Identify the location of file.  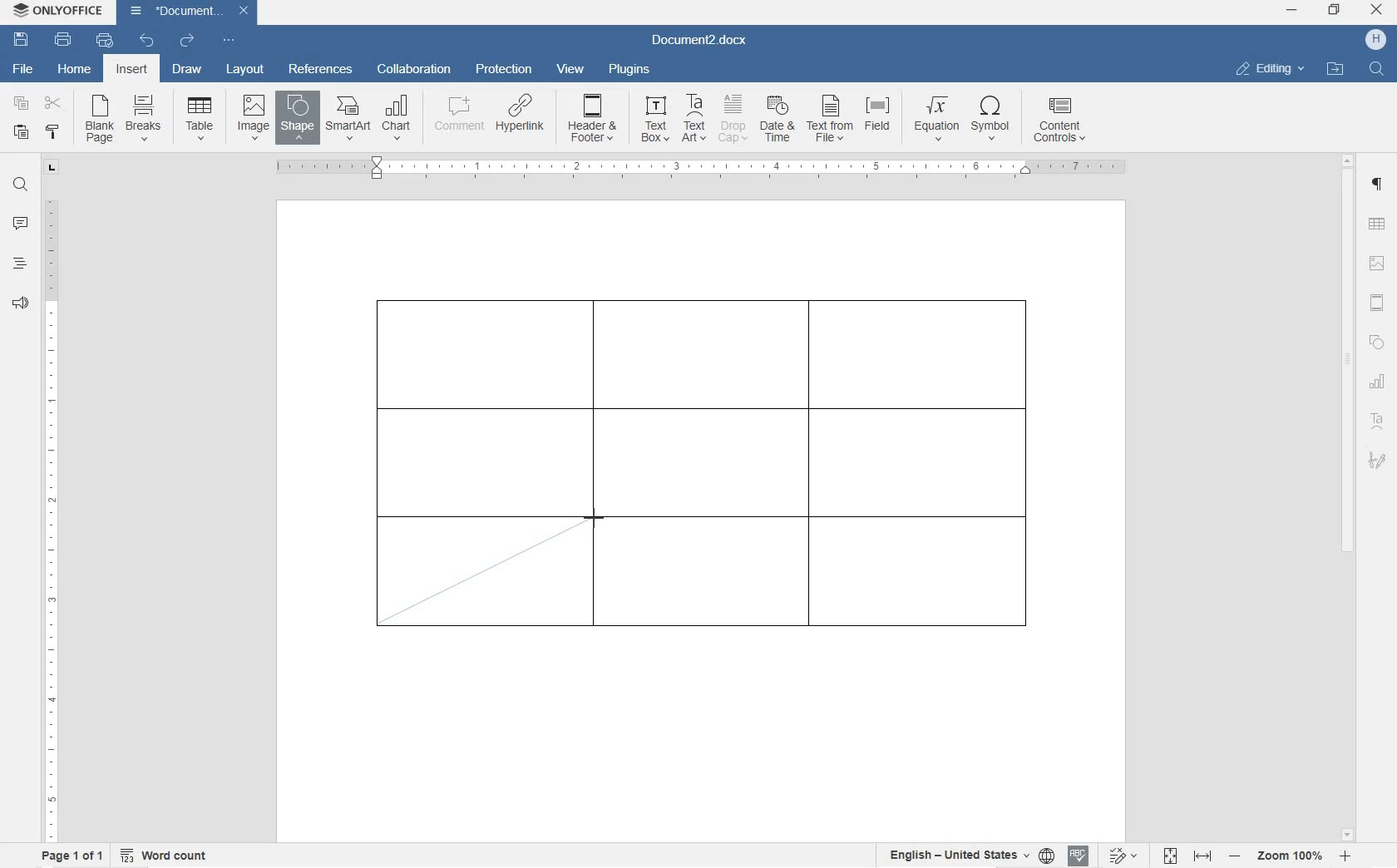
(26, 71).